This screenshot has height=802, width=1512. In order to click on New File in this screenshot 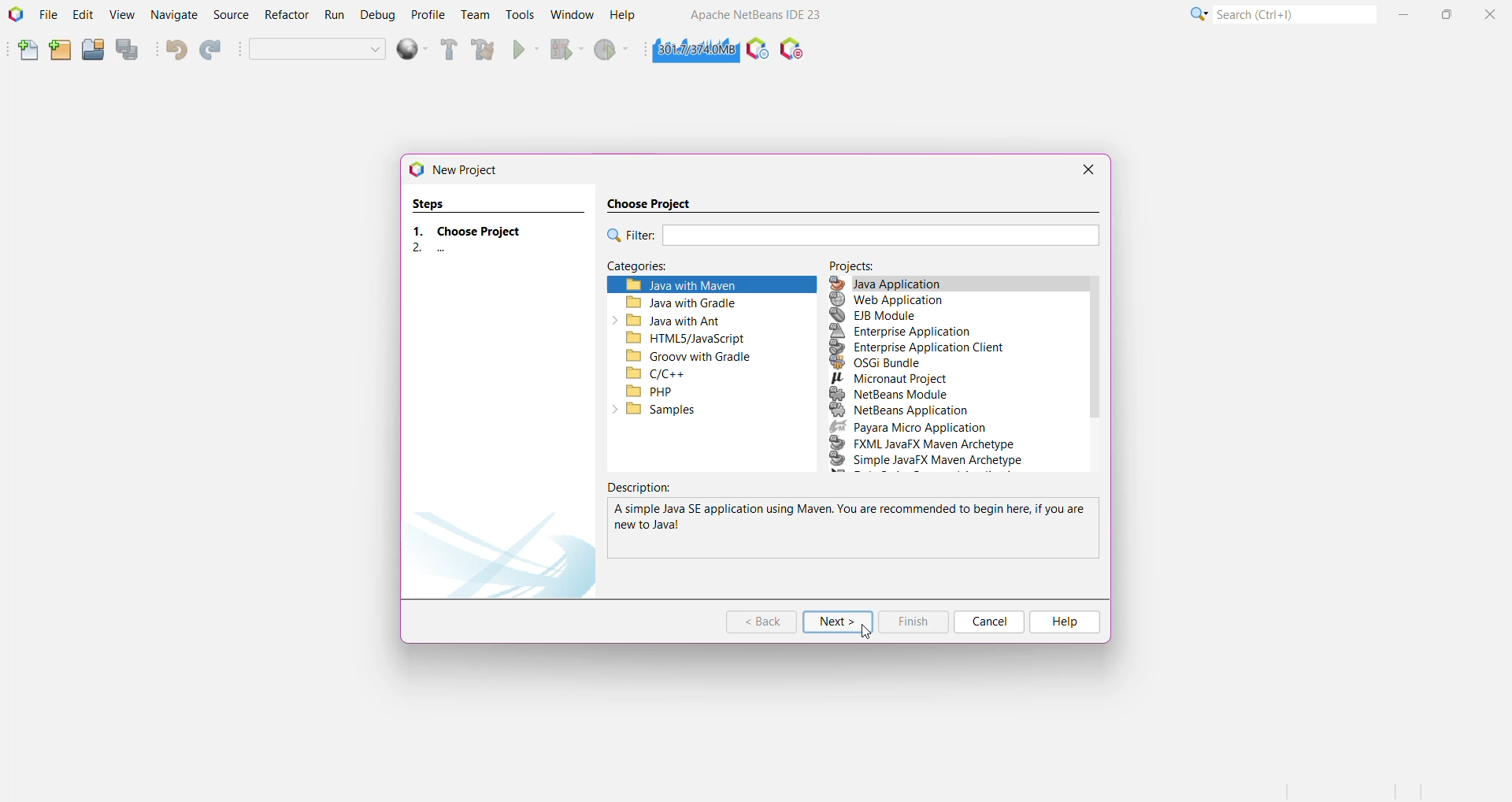, I will do `click(25, 50)`.